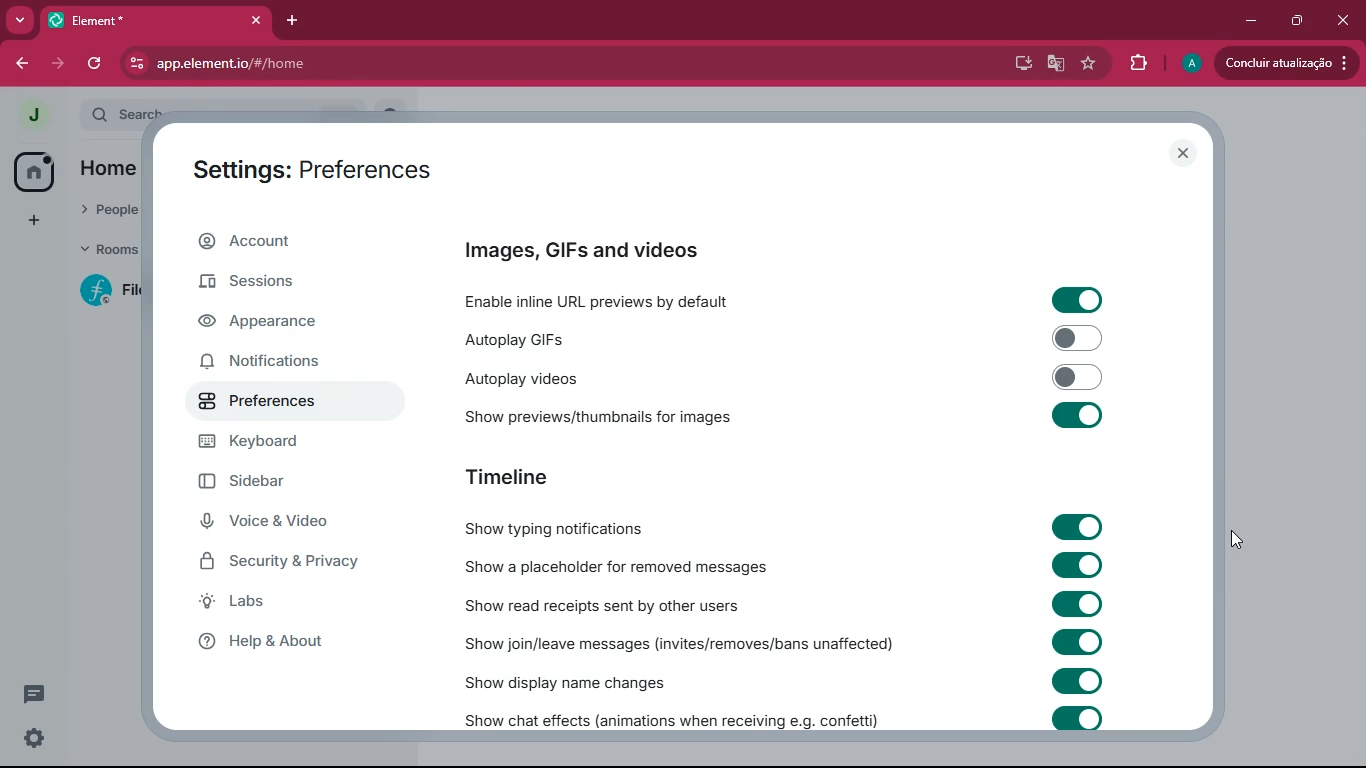  What do you see at coordinates (1077, 415) in the screenshot?
I see `toggle on/off` at bounding box center [1077, 415].